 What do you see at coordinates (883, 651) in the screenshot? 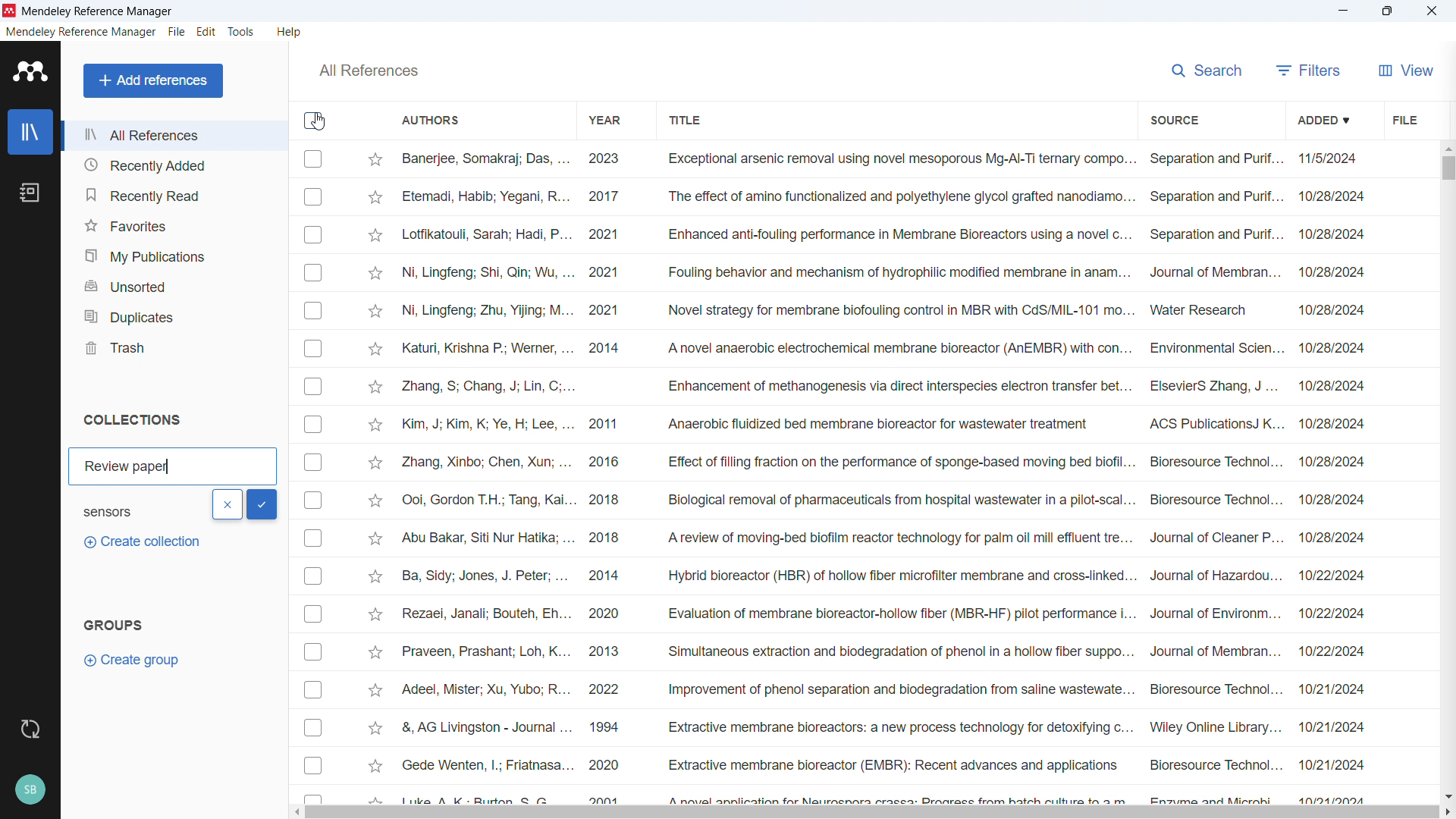
I see `Praveen, Prashant; Loh, K... 2013 Simultaneous extraction and biodegradation of phenol in a hollow fiber suppo... Journal of Membran... 10/22/2024` at bounding box center [883, 651].